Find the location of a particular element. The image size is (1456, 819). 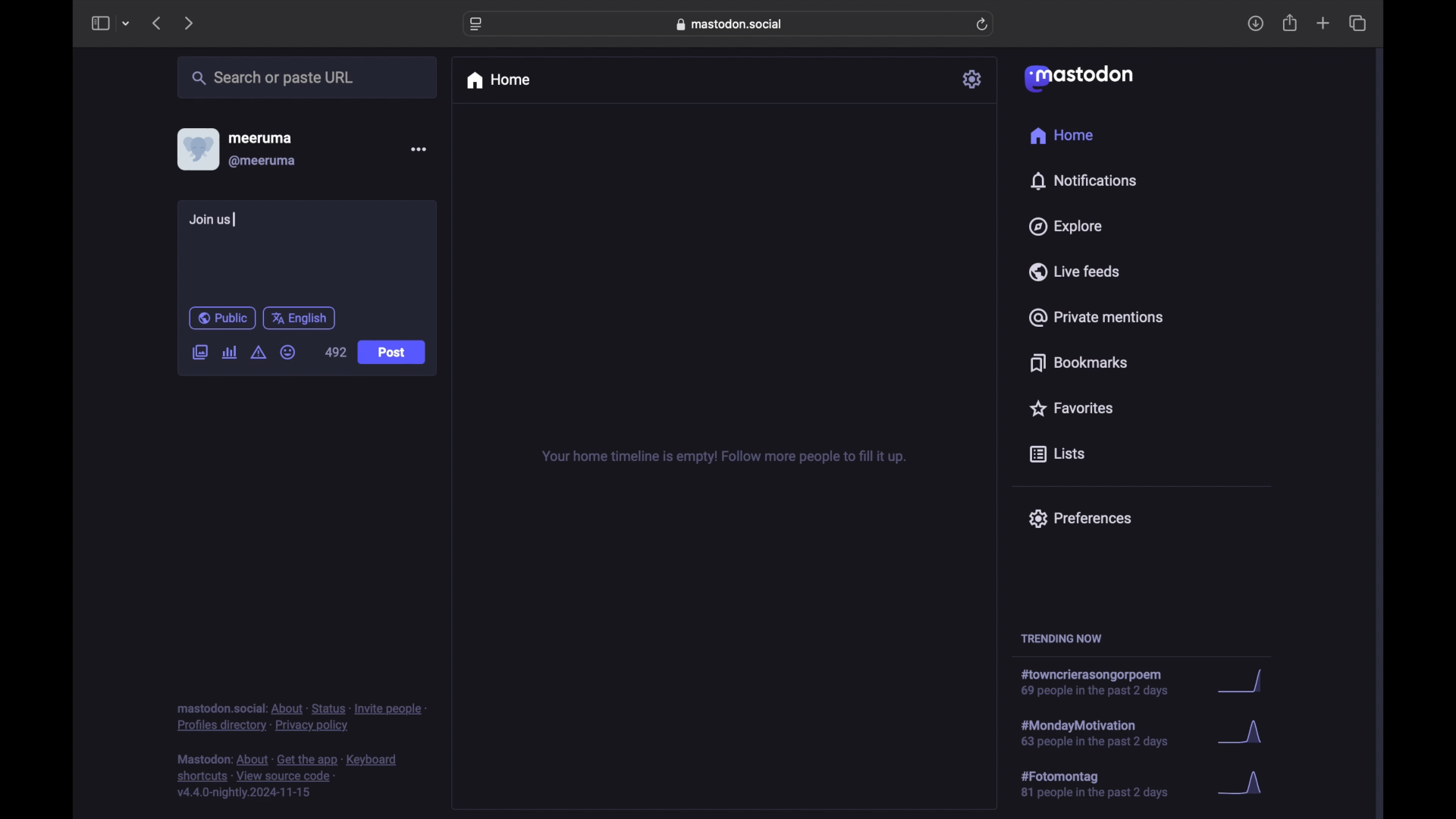

website settings is located at coordinates (478, 24).